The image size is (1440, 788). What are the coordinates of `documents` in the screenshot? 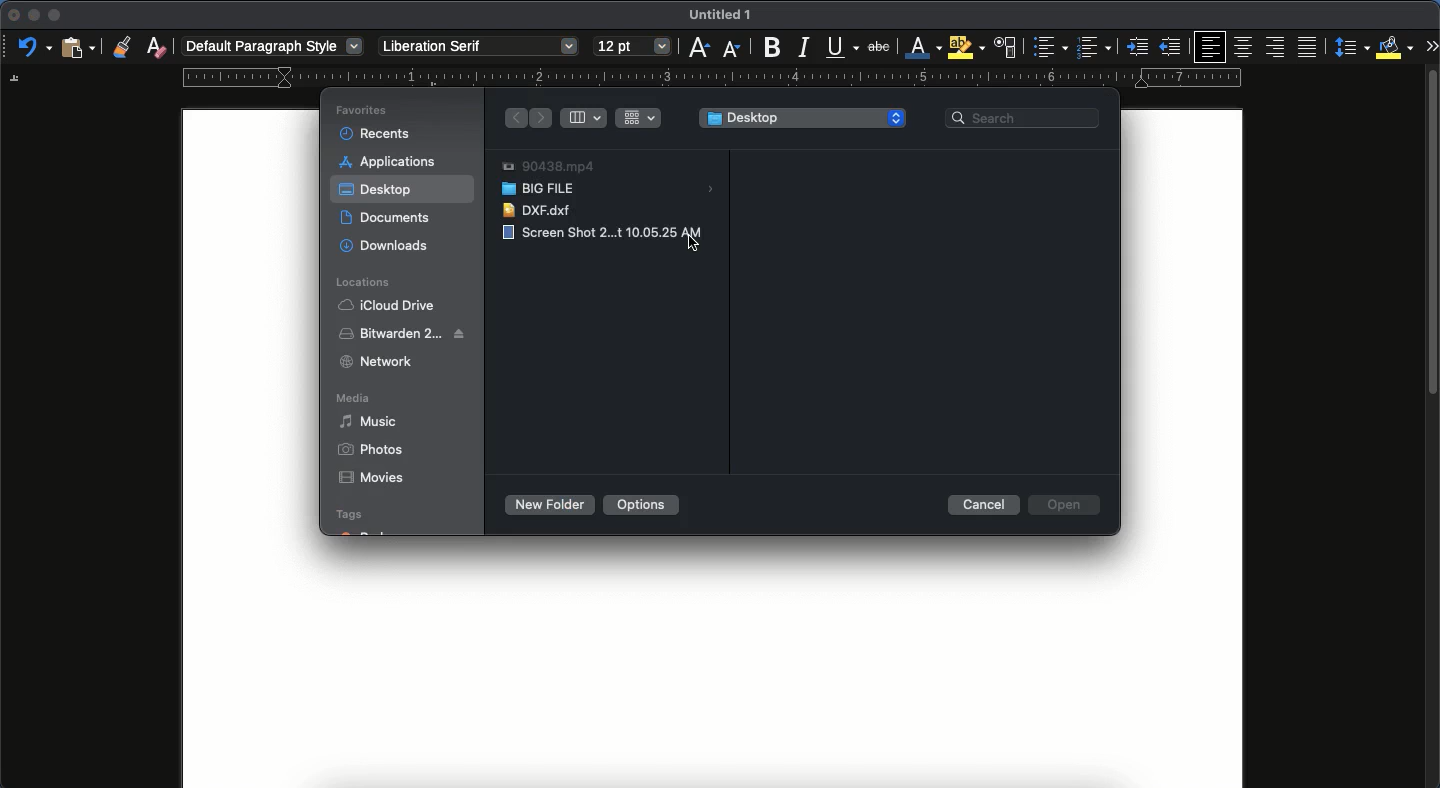 It's located at (391, 217).